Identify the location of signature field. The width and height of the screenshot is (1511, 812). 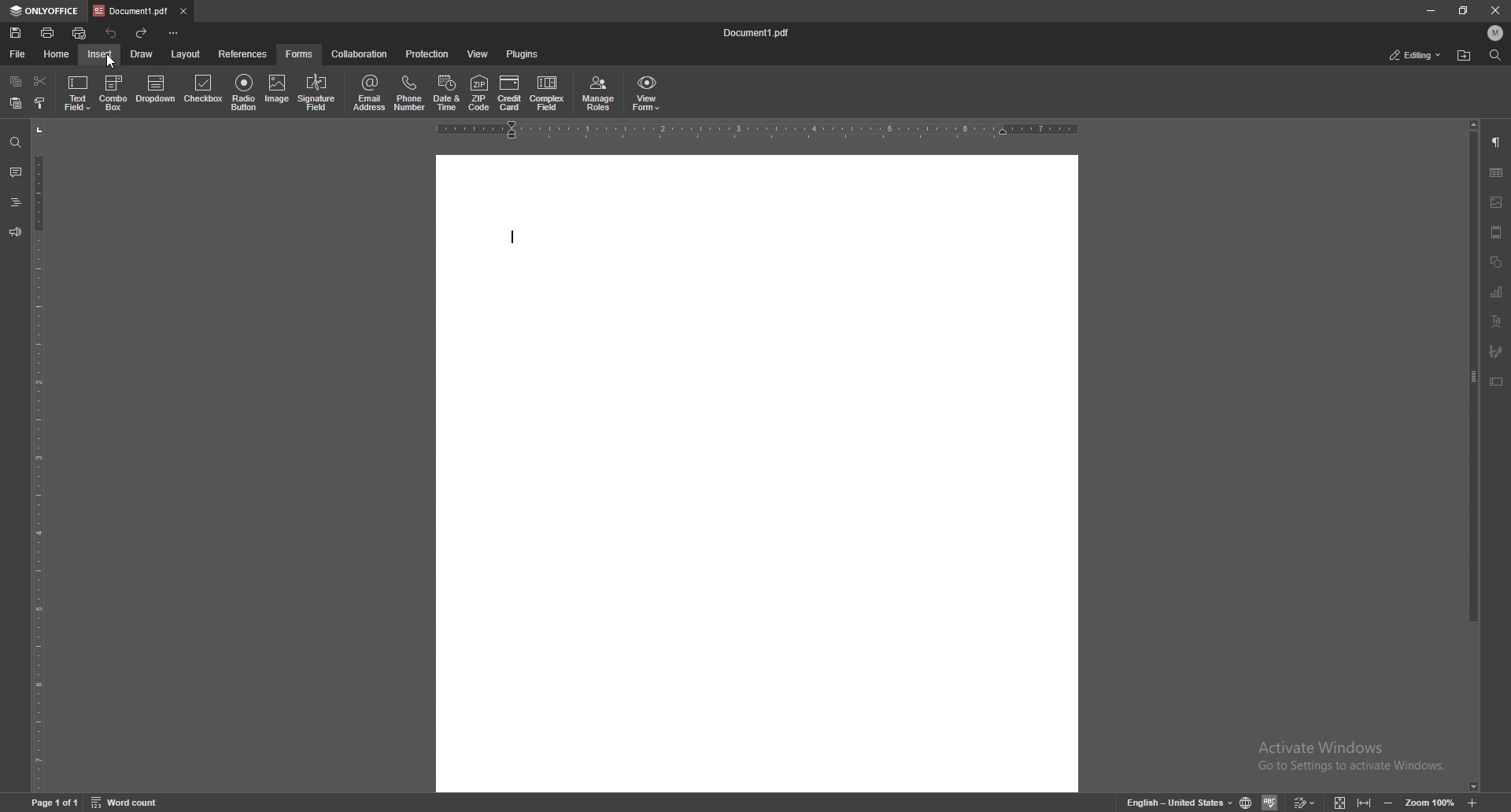
(1495, 352).